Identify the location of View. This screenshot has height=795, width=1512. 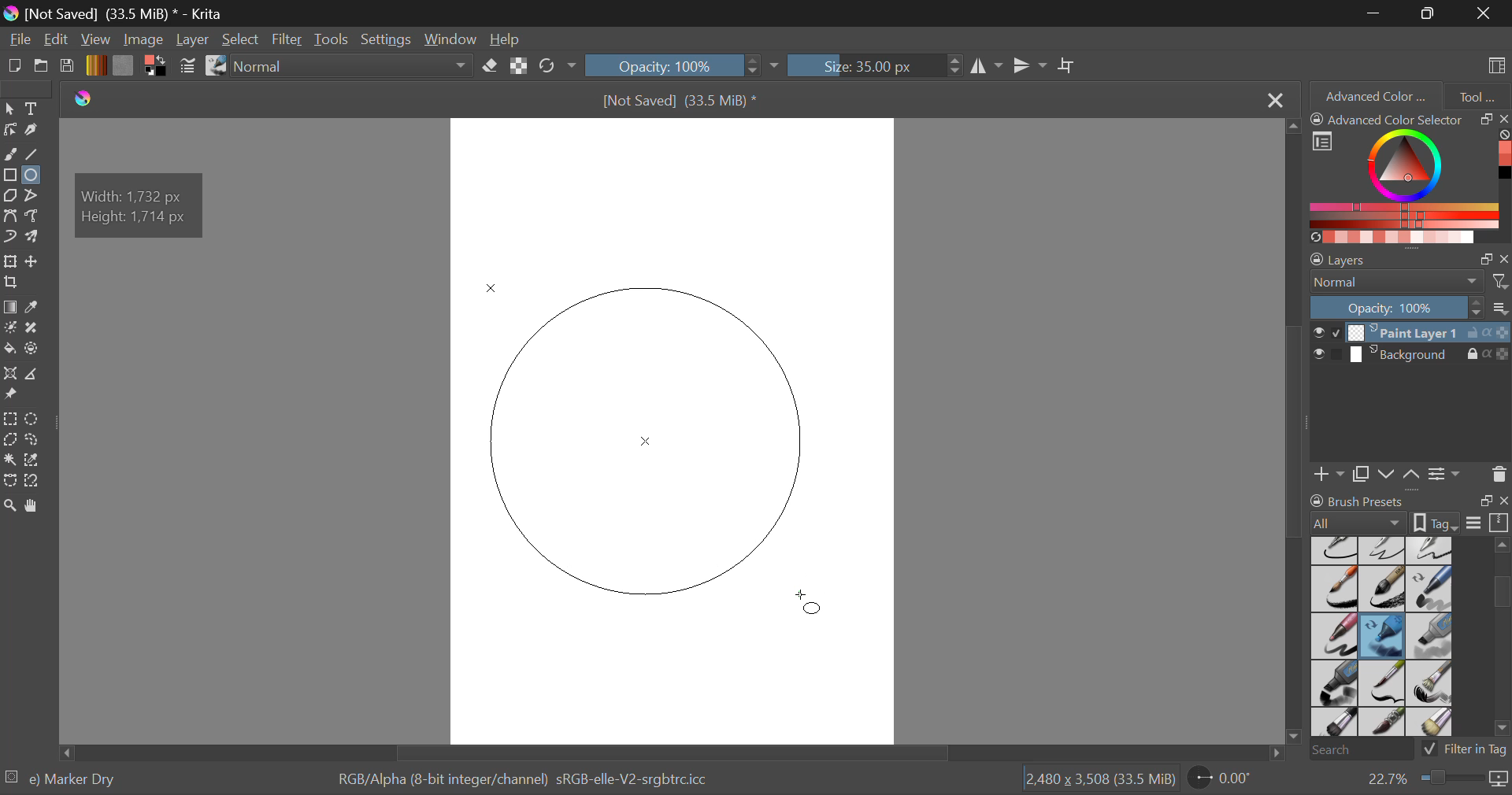
(98, 40).